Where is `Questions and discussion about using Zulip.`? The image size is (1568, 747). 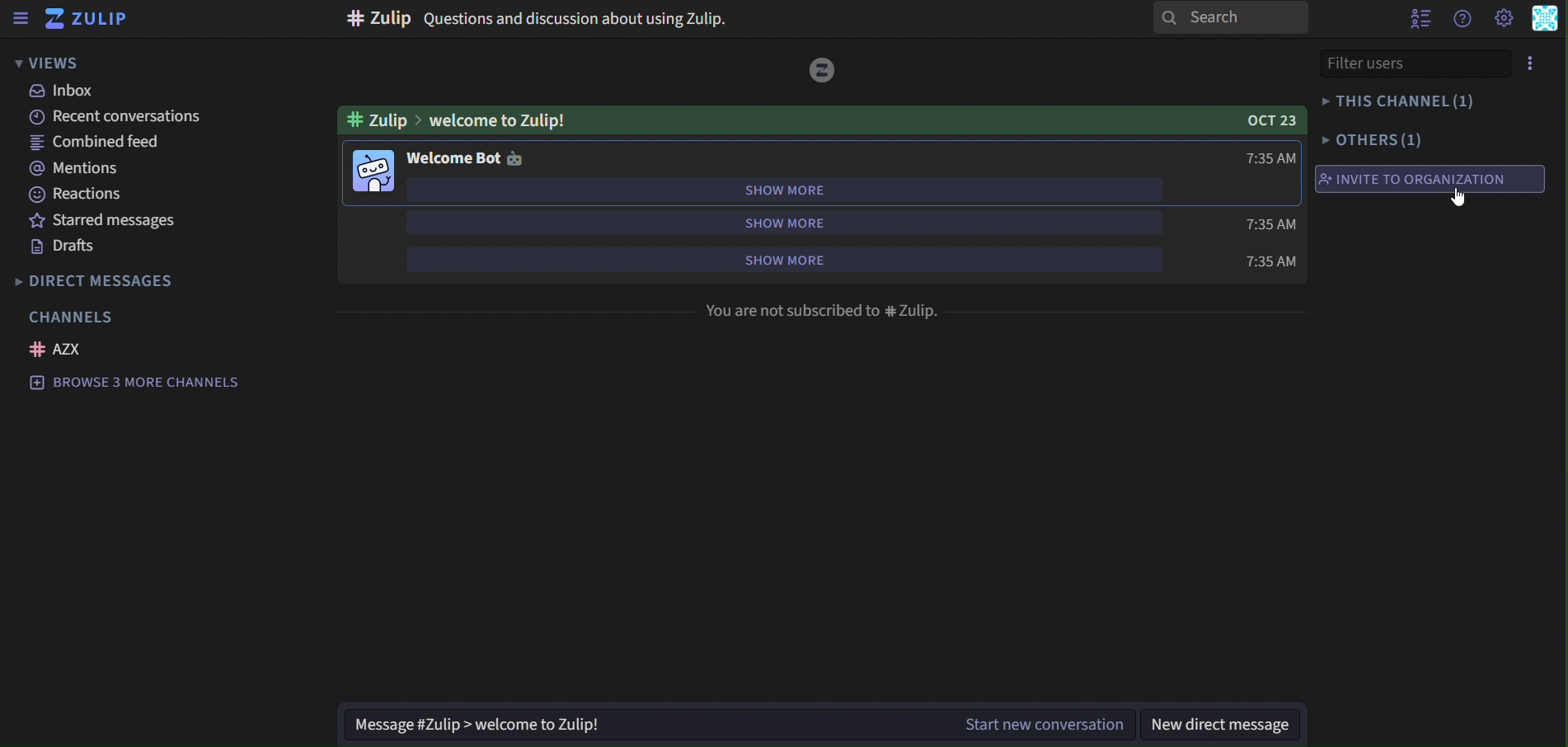 Questions and discussion about using Zulip. is located at coordinates (538, 19).